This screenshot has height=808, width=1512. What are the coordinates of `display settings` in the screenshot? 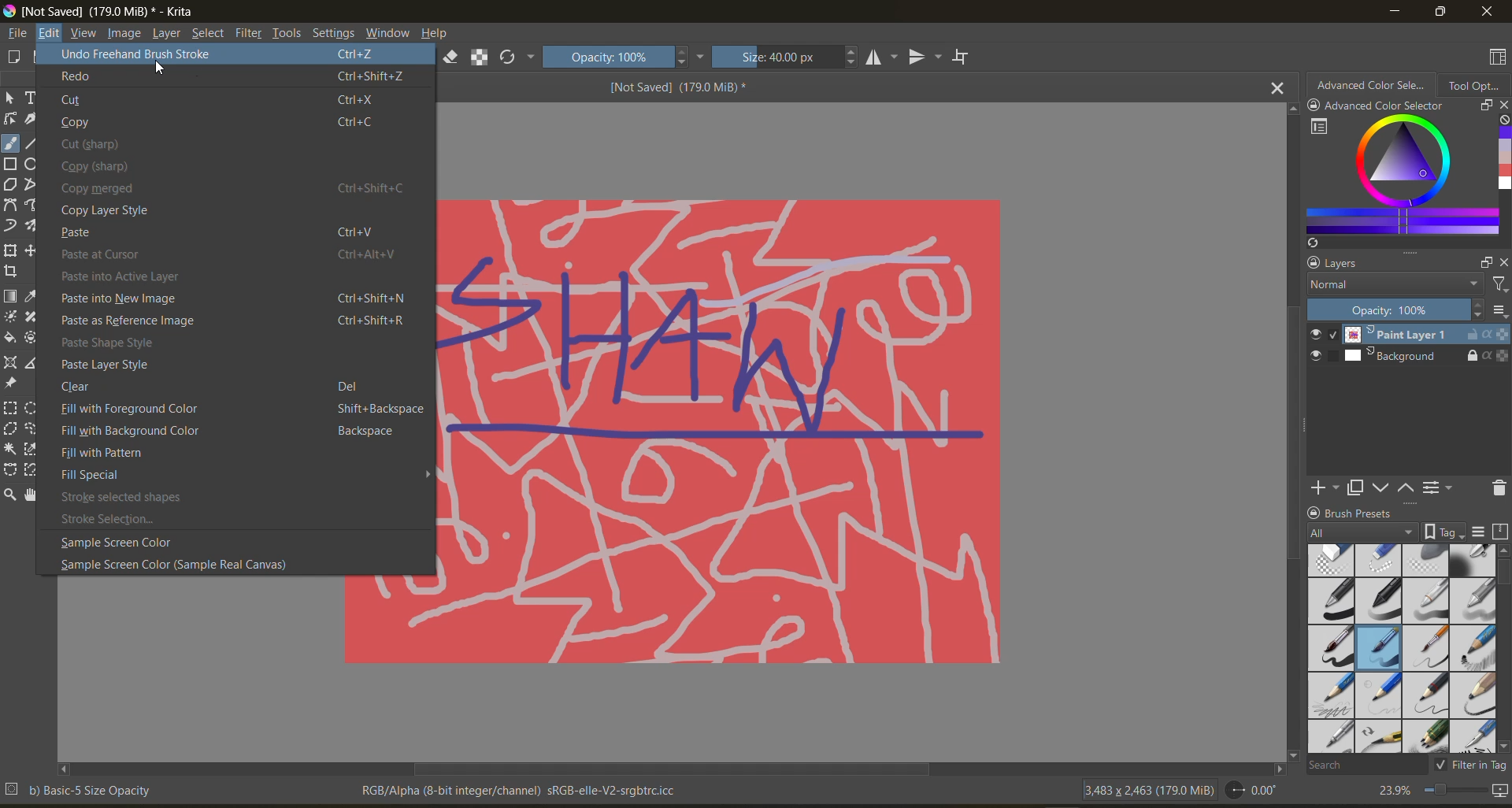 It's located at (1481, 534).